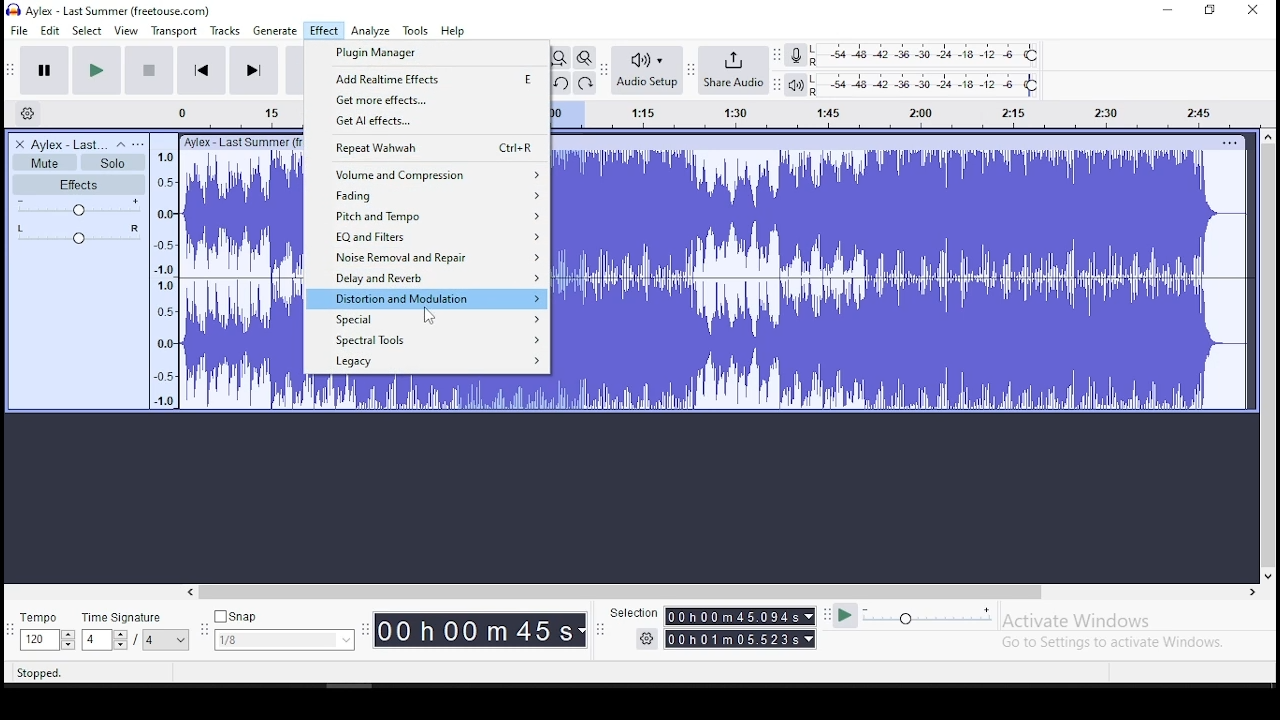 The image size is (1280, 720). I want to click on mute, so click(45, 162).